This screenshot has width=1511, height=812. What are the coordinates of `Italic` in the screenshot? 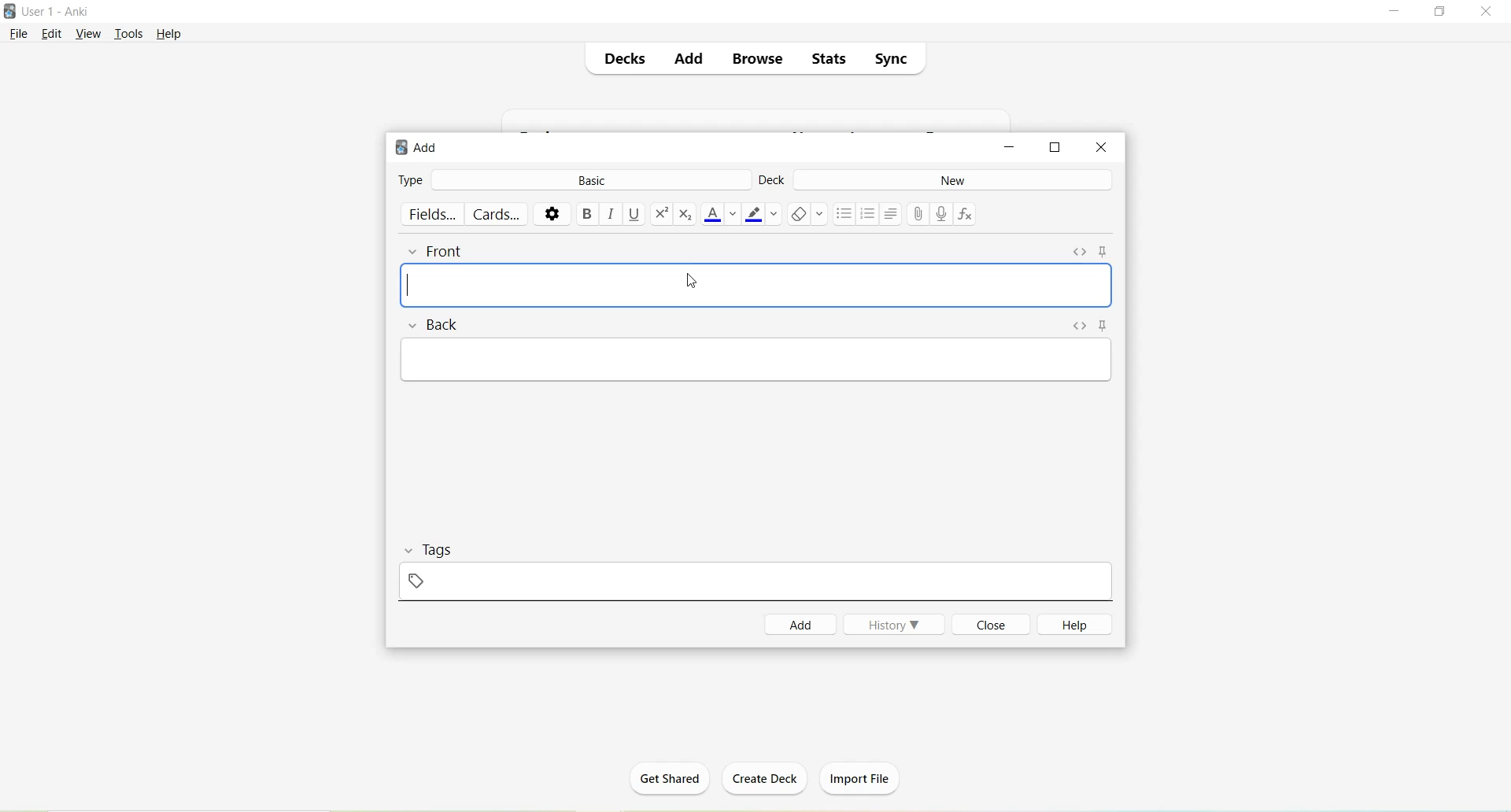 It's located at (611, 213).